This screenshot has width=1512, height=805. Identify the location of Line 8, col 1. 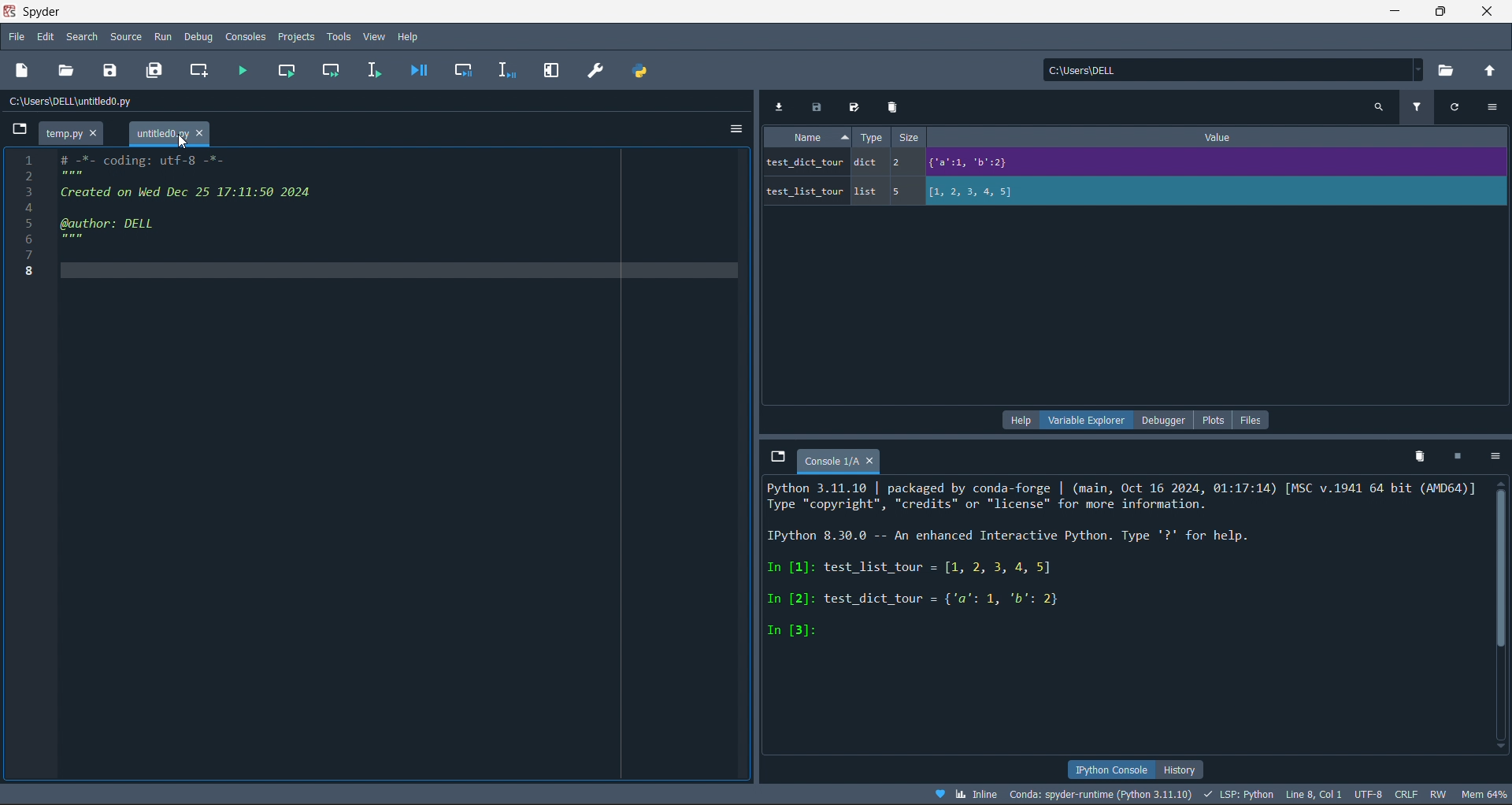
(1317, 796).